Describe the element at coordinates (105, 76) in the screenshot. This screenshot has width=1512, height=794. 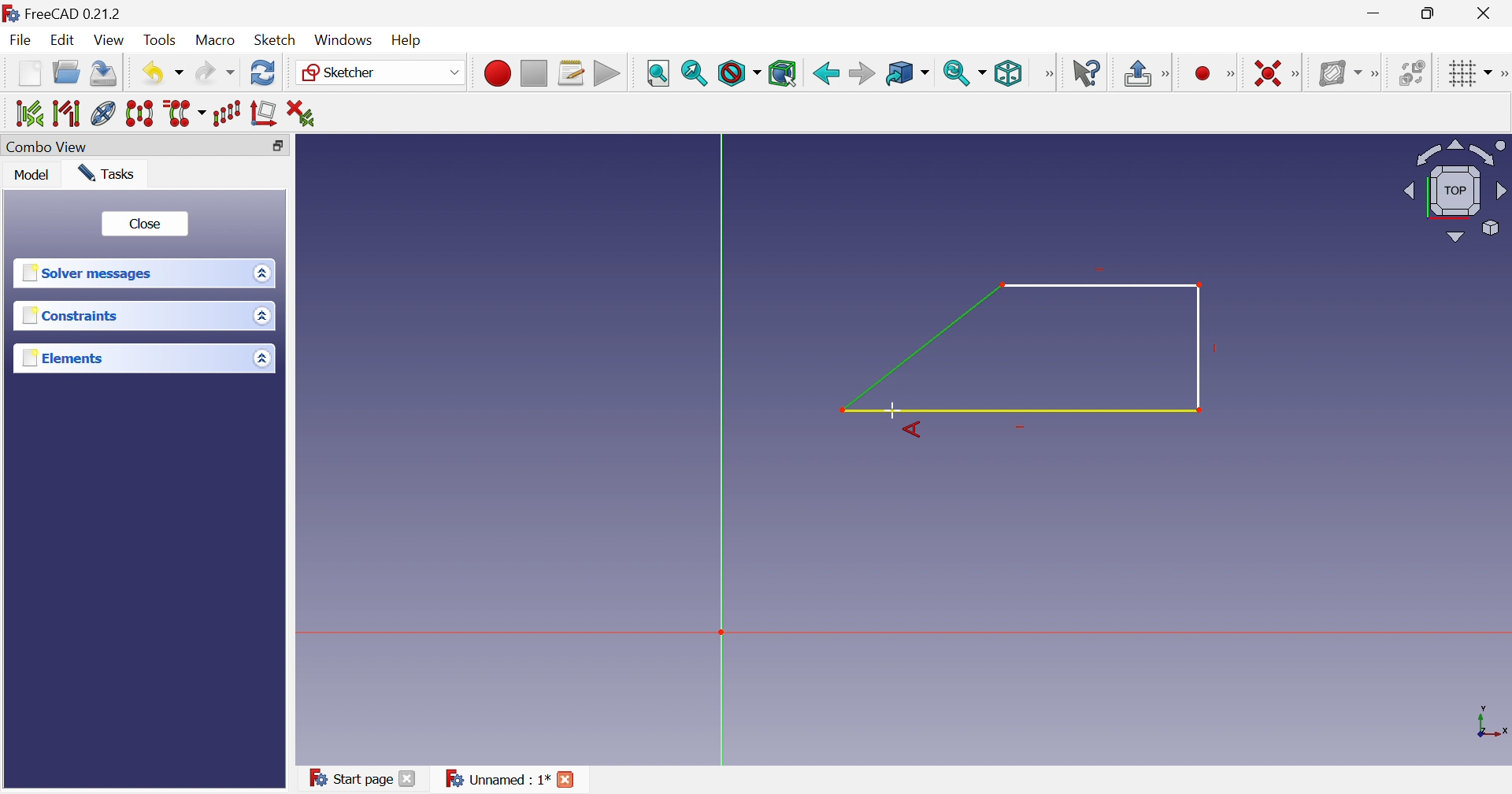
I see `Save` at that location.